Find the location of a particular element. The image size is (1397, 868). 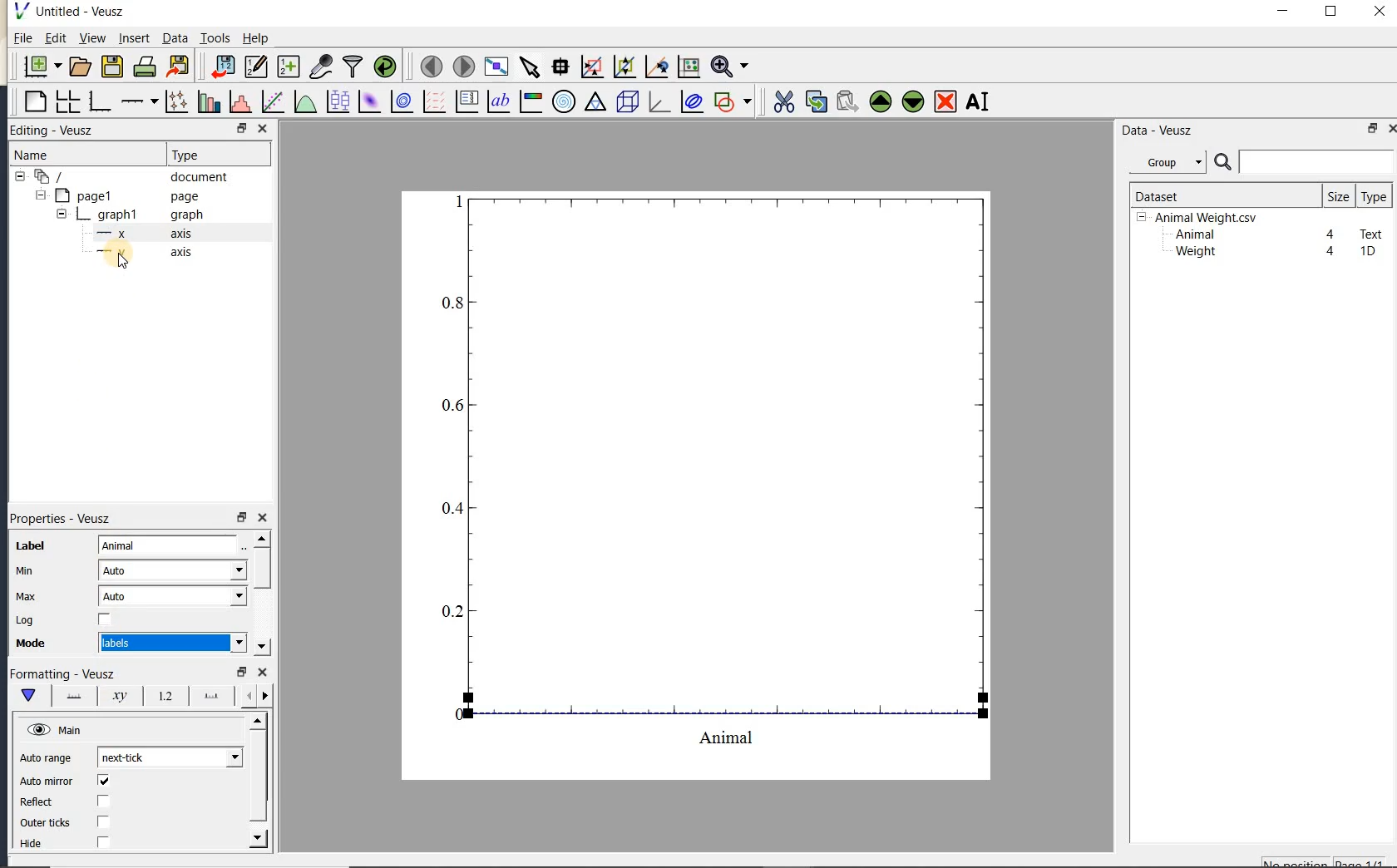

Auto range is located at coordinates (46, 758).